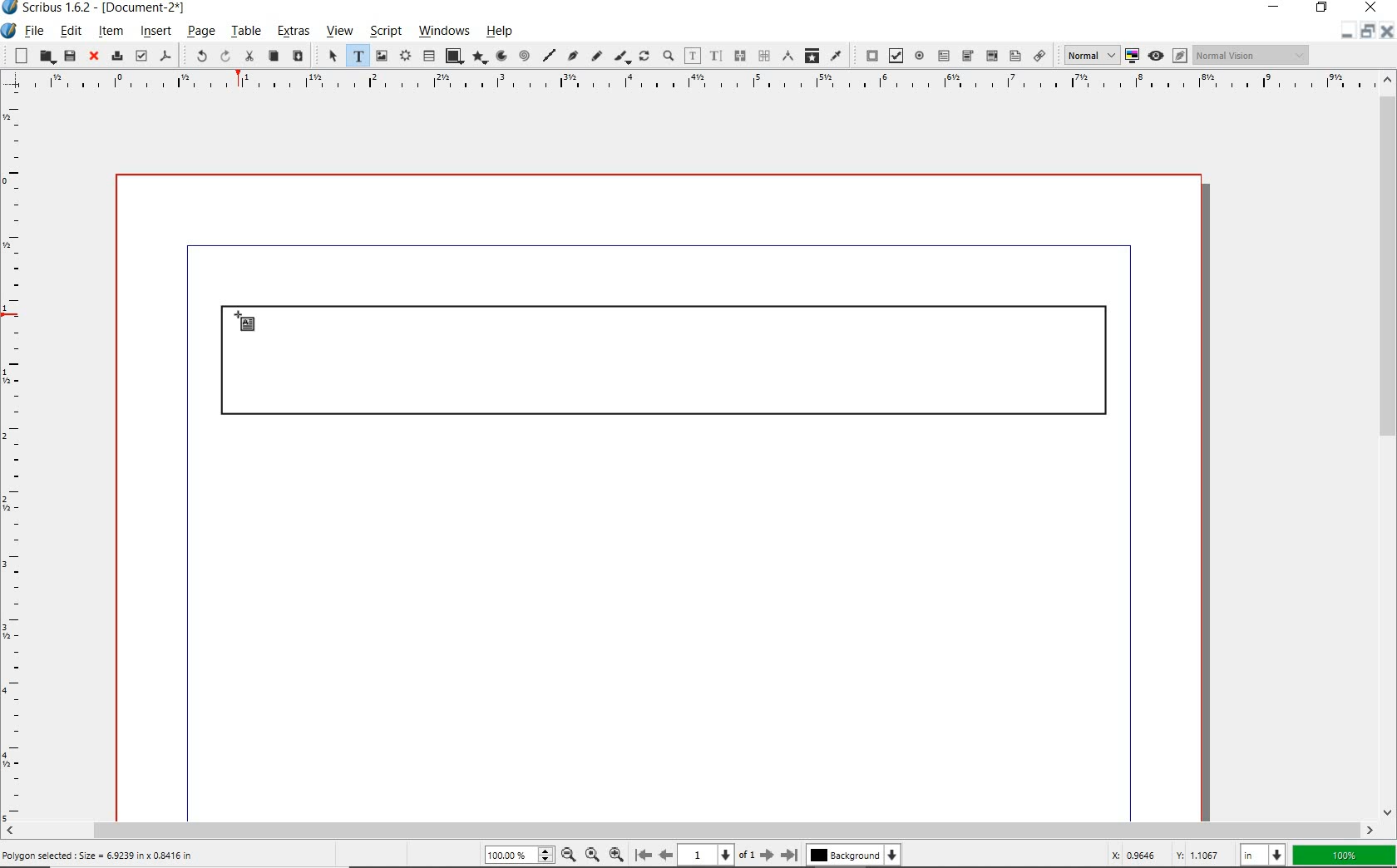  I want to click on toggle color, so click(1130, 57).